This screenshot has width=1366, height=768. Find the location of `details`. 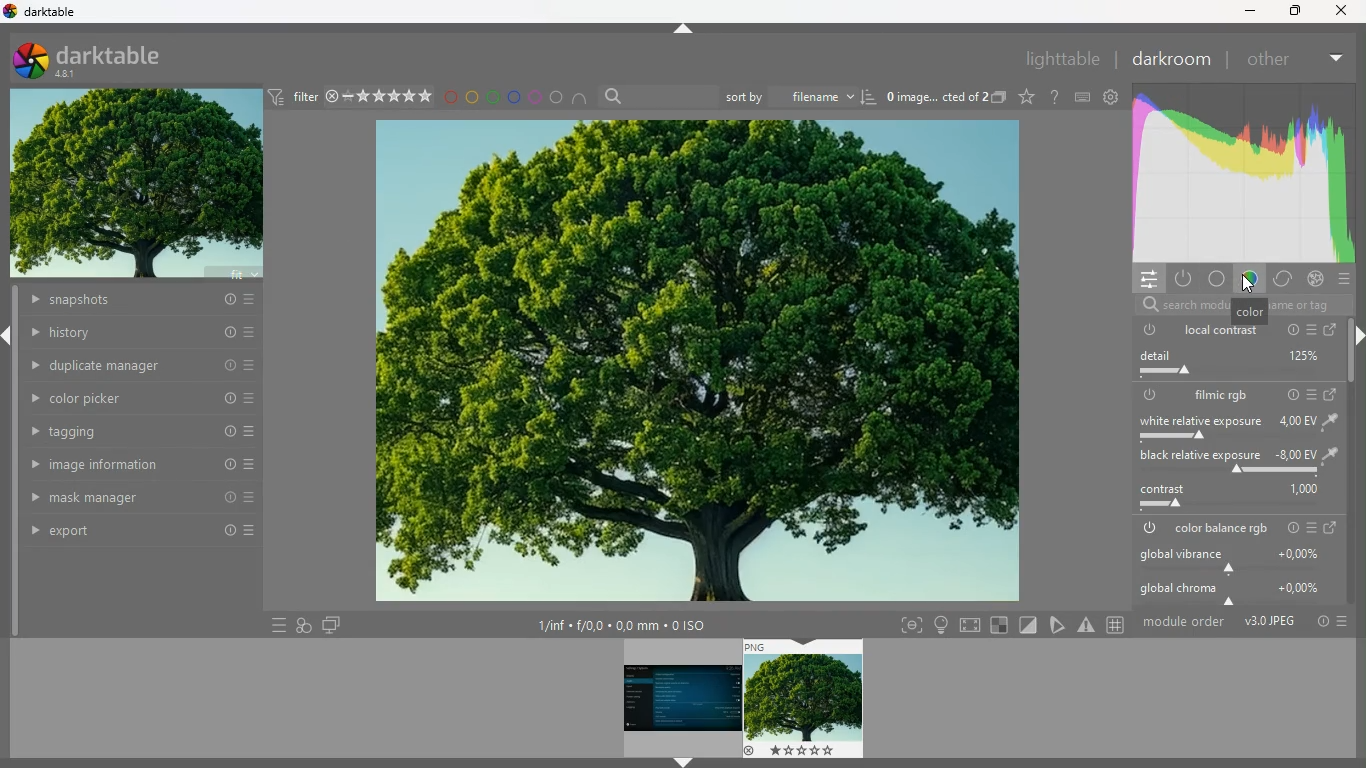

details is located at coordinates (1234, 366).